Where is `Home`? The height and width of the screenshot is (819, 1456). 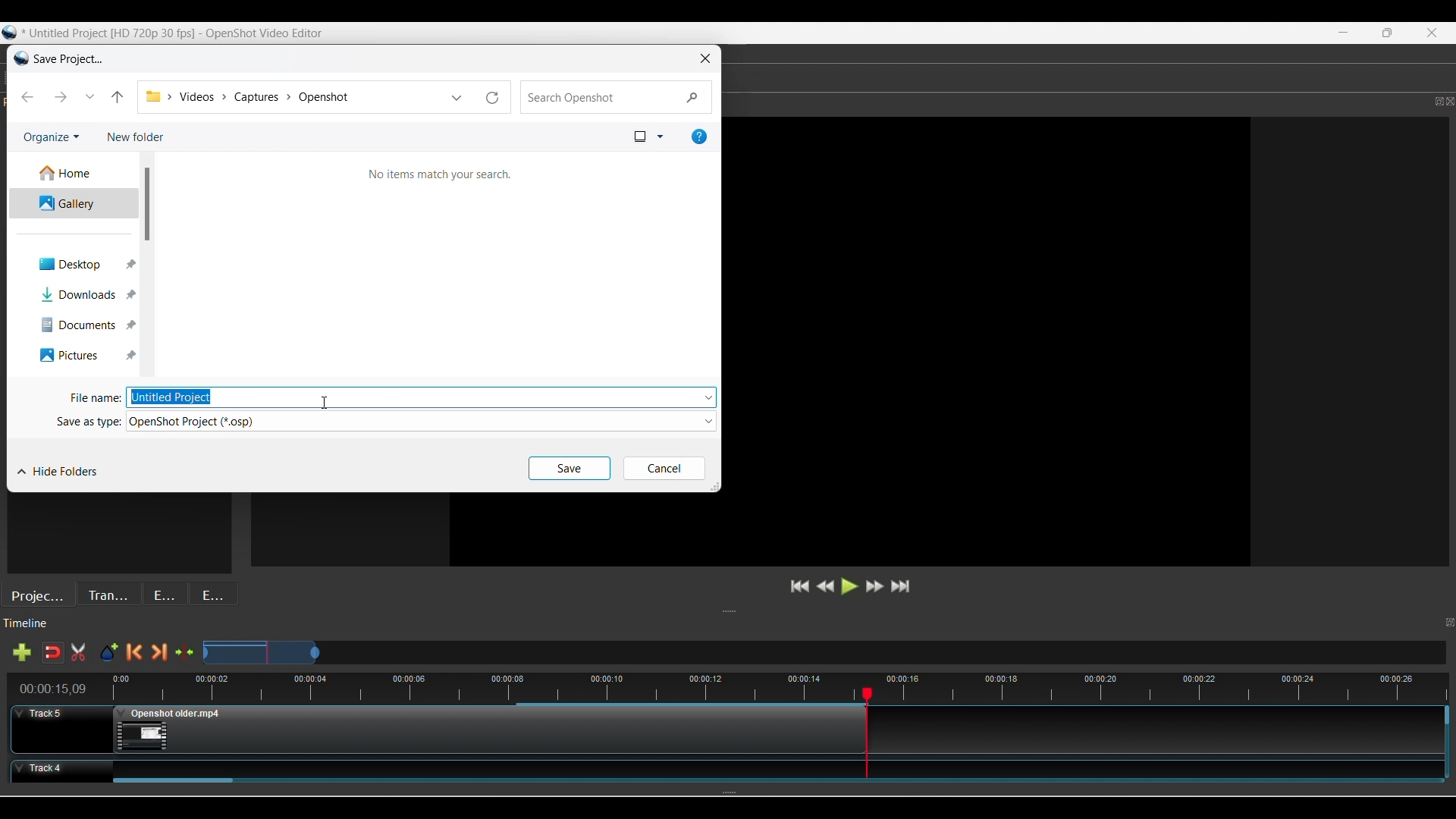 Home is located at coordinates (72, 174).